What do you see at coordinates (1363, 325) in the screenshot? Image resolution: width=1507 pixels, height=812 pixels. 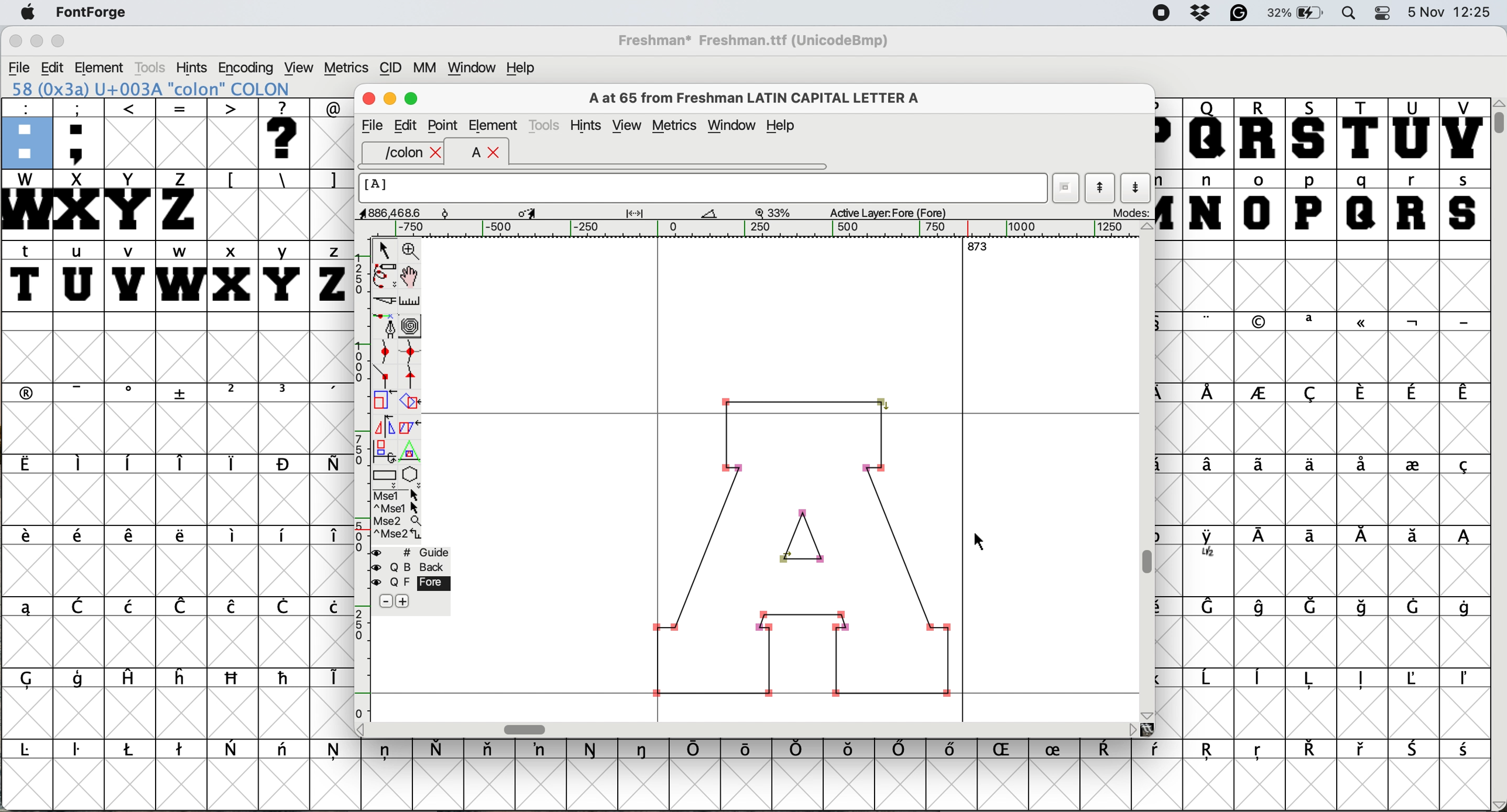 I see `symbol` at bounding box center [1363, 325].